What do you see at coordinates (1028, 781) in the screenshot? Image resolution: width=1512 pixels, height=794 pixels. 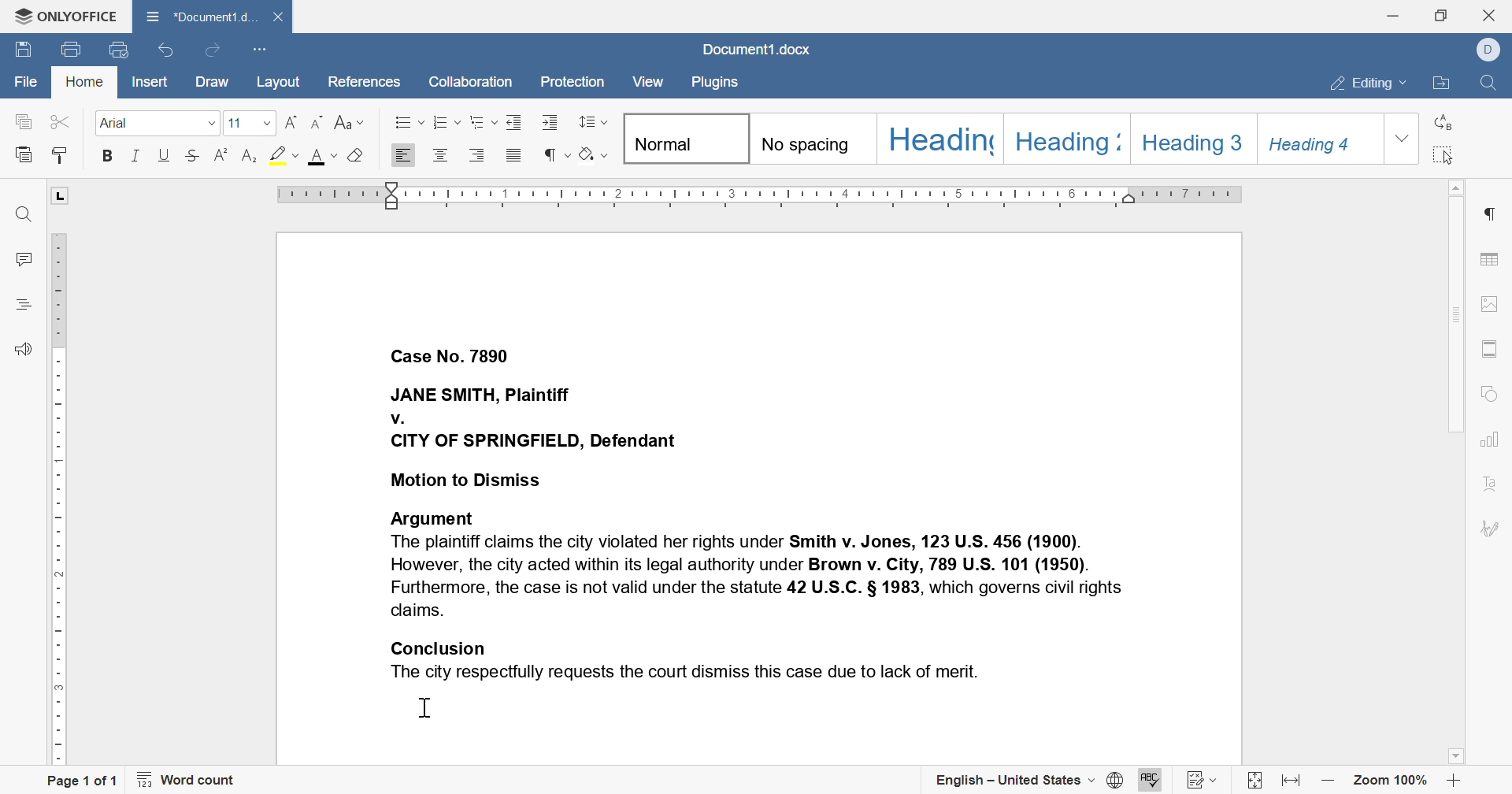 I see `english - united states` at bounding box center [1028, 781].